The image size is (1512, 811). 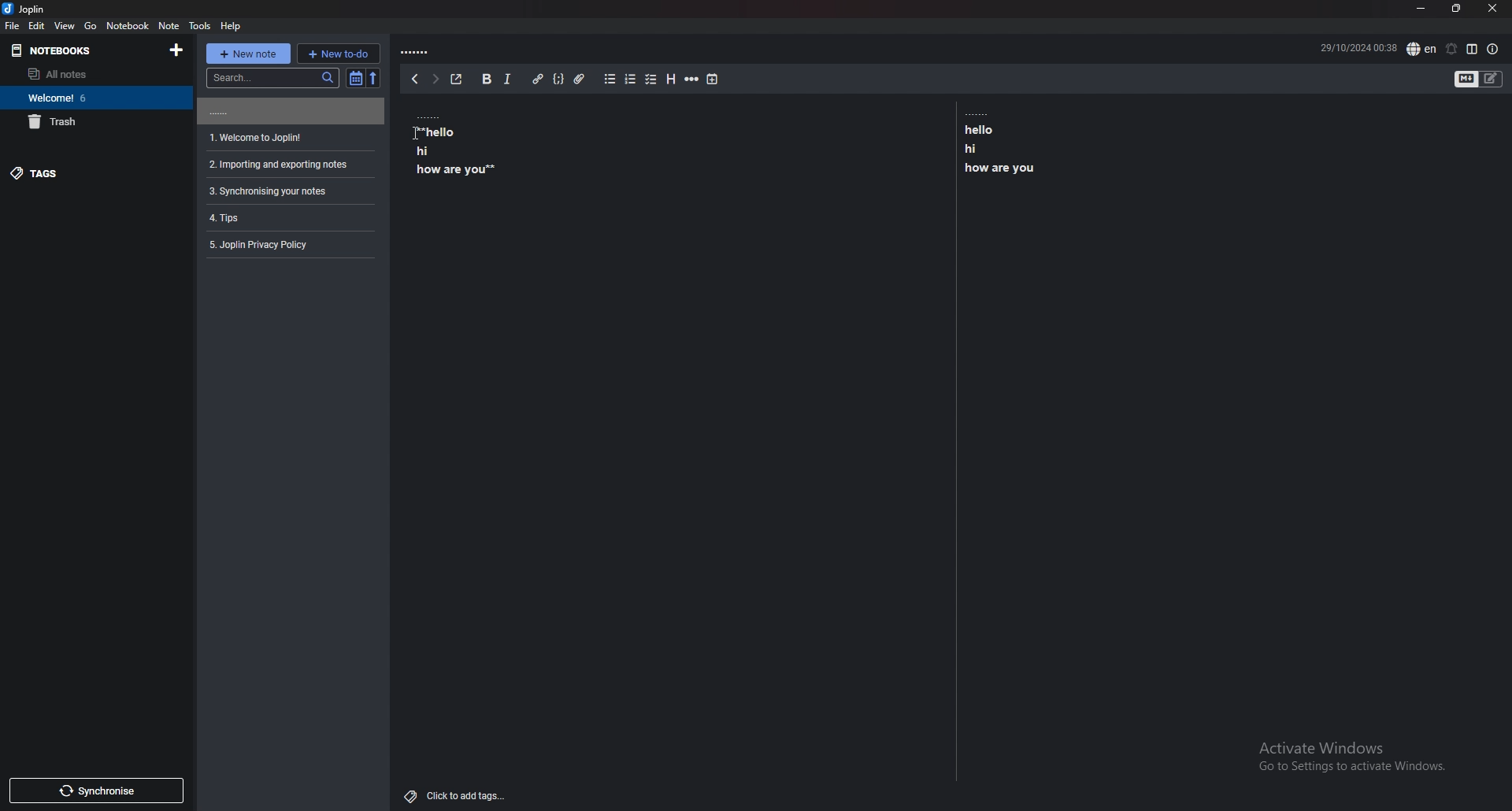 What do you see at coordinates (1358, 46) in the screenshot?
I see `date and time` at bounding box center [1358, 46].